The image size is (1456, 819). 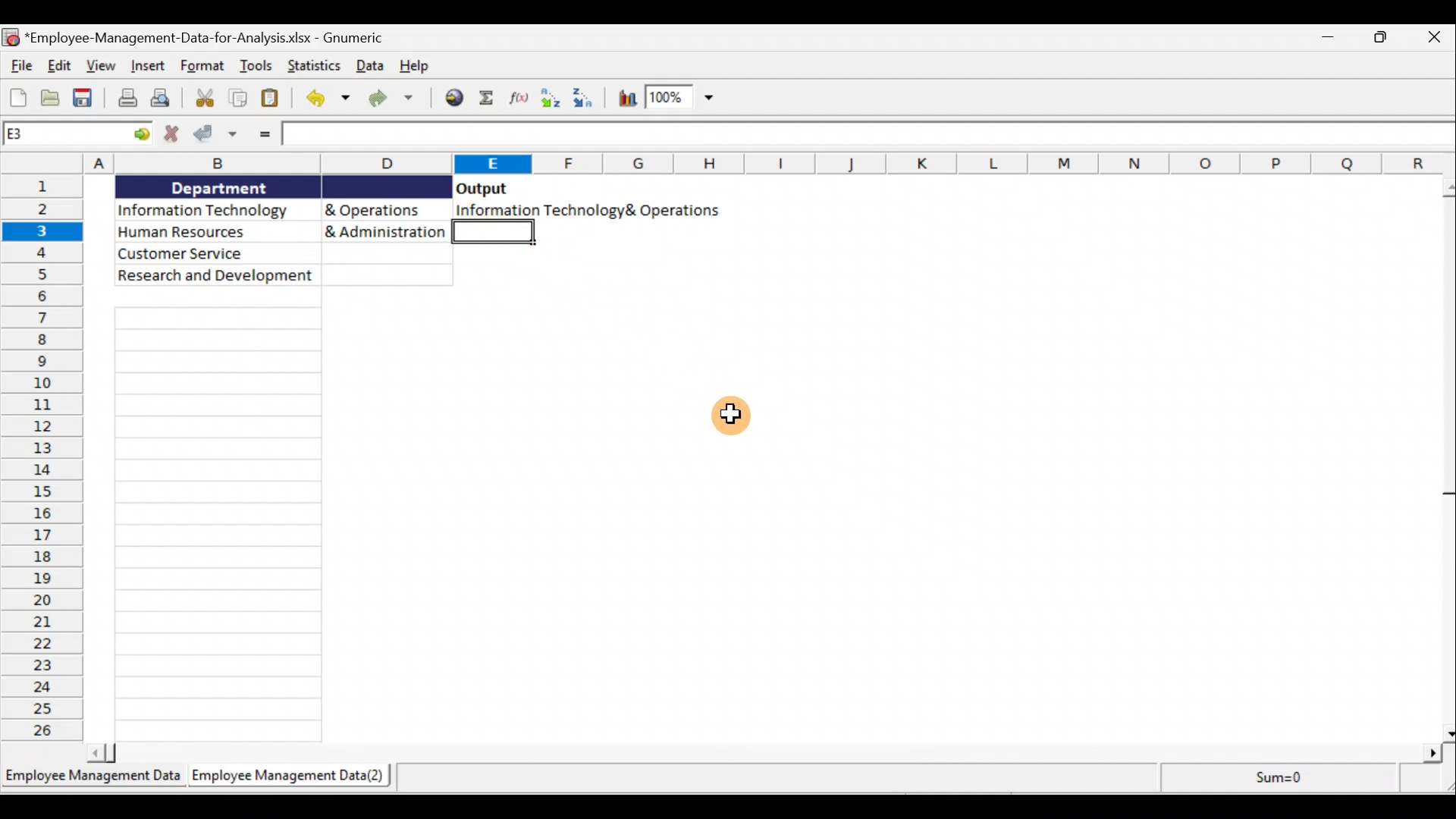 What do you see at coordinates (217, 136) in the screenshot?
I see `Accept change` at bounding box center [217, 136].